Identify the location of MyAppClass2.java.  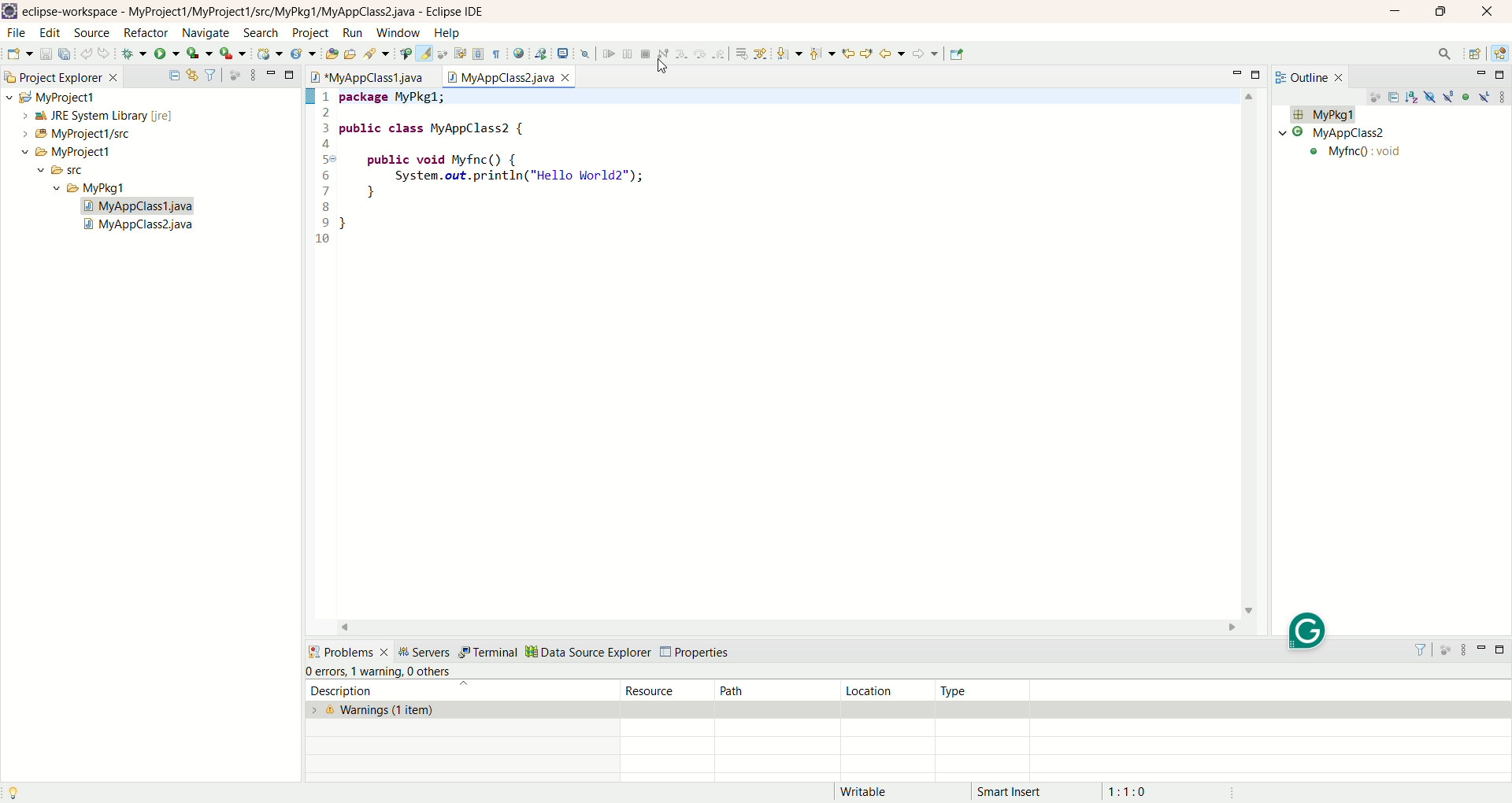
(141, 227).